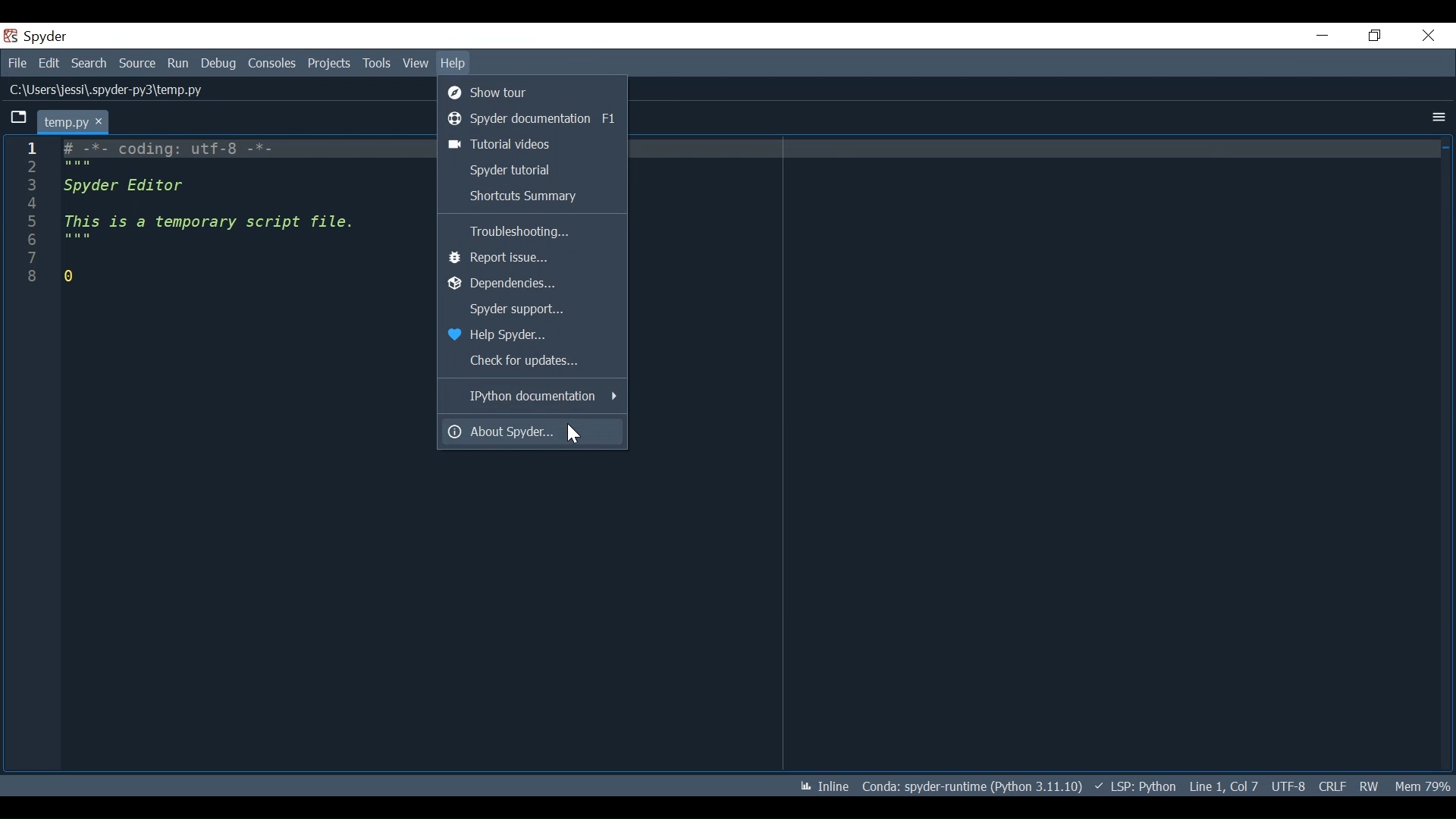  Describe the element at coordinates (531, 310) in the screenshot. I see `Spyder Support` at that location.